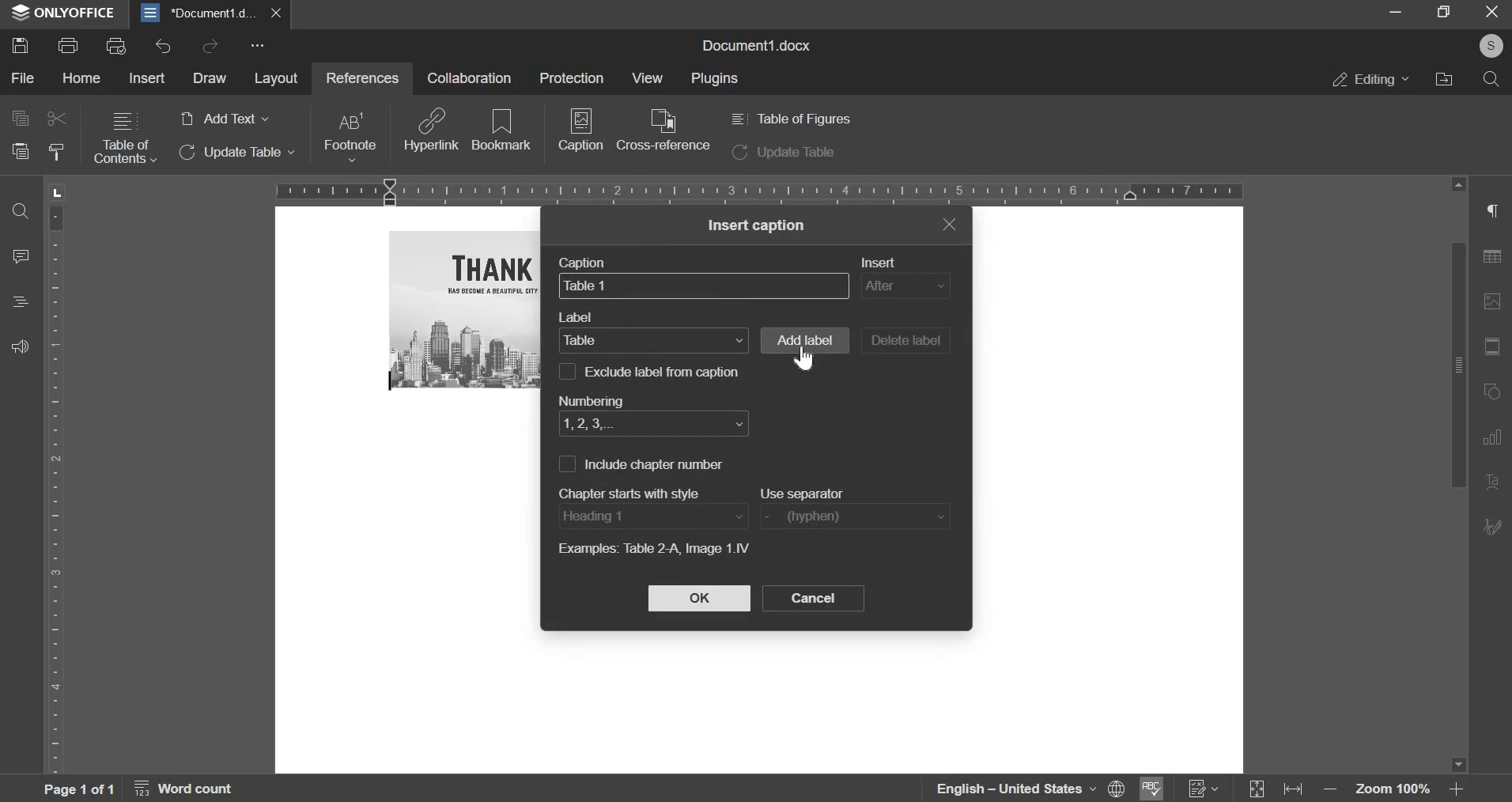  What do you see at coordinates (432, 129) in the screenshot?
I see `hyperlink` at bounding box center [432, 129].